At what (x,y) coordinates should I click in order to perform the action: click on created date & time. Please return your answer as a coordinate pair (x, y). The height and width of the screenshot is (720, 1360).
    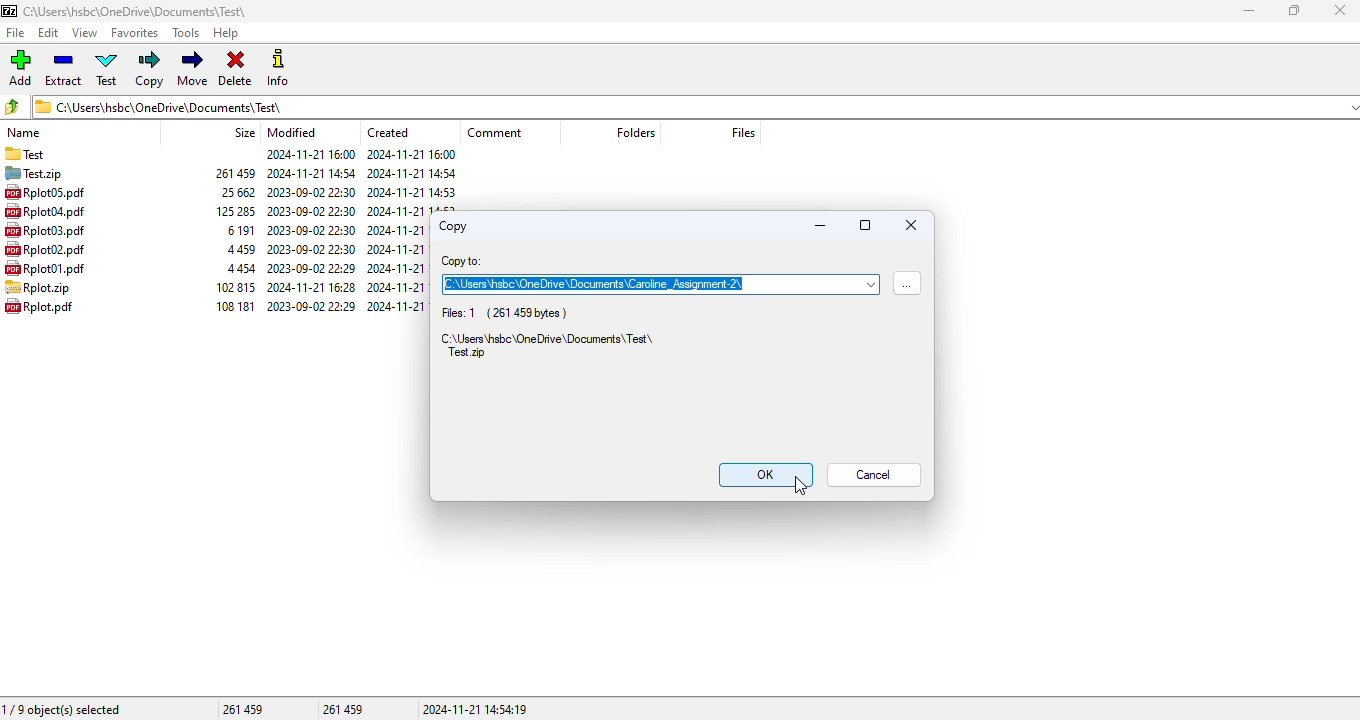
    Looking at the image, I should click on (398, 250).